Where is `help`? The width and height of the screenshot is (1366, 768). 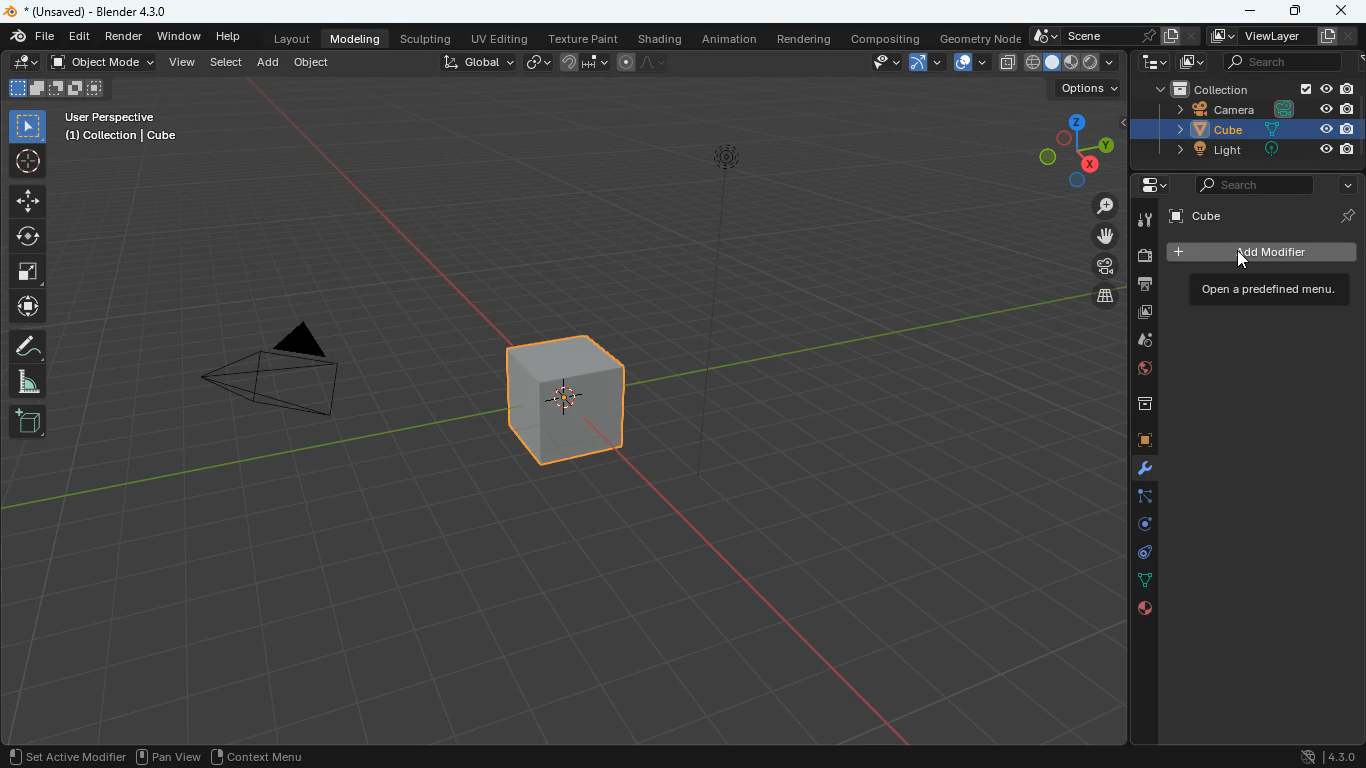 help is located at coordinates (227, 38).